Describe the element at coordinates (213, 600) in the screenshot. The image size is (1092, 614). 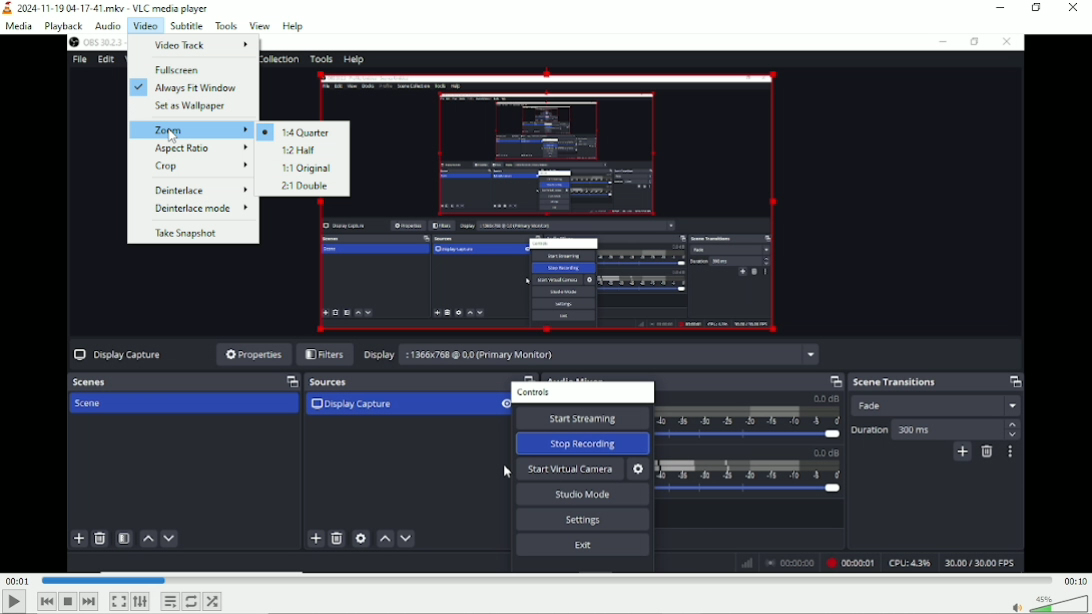
I see `Random` at that location.